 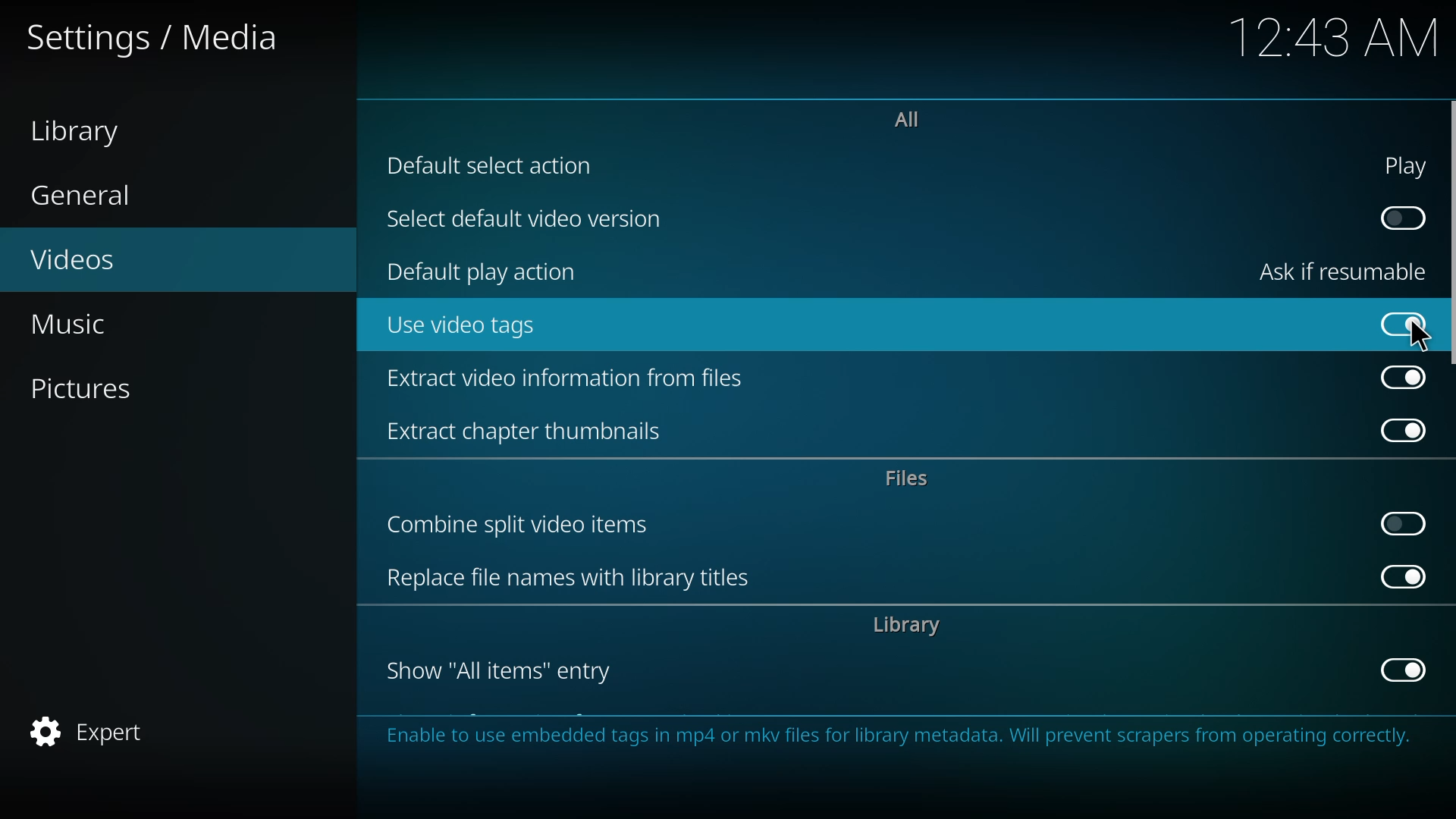 What do you see at coordinates (1402, 522) in the screenshot?
I see `click to enable` at bounding box center [1402, 522].